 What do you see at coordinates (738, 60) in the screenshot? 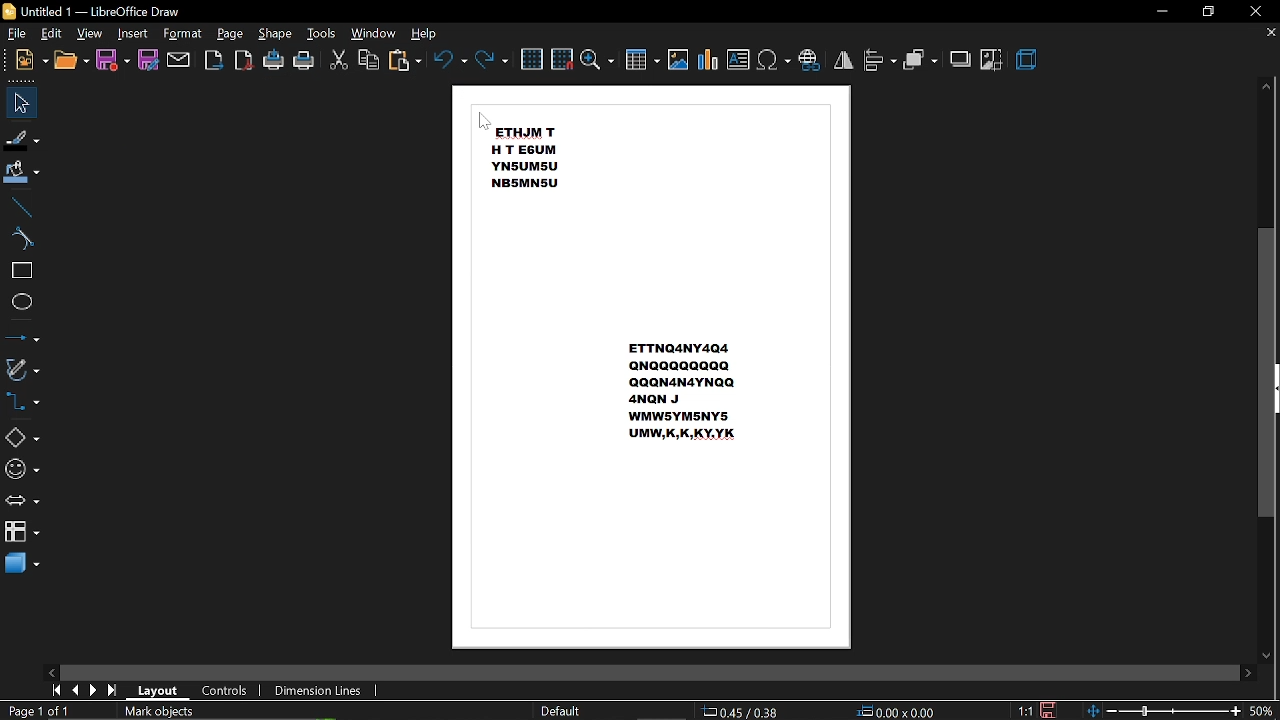
I see `insert text` at bounding box center [738, 60].